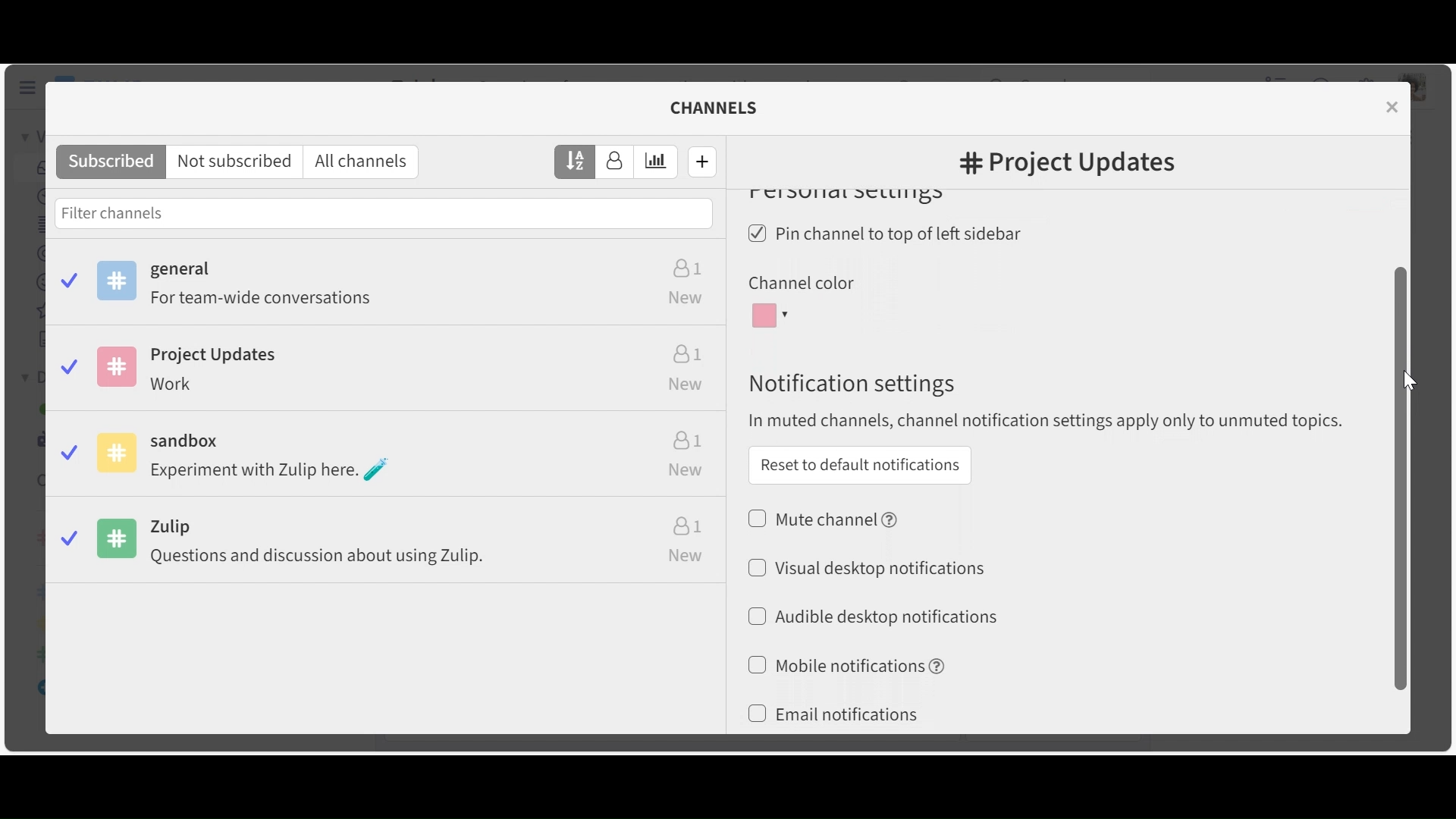 The width and height of the screenshot is (1456, 819). What do you see at coordinates (576, 161) in the screenshot?
I see `Sort by name` at bounding box center [576, 161].